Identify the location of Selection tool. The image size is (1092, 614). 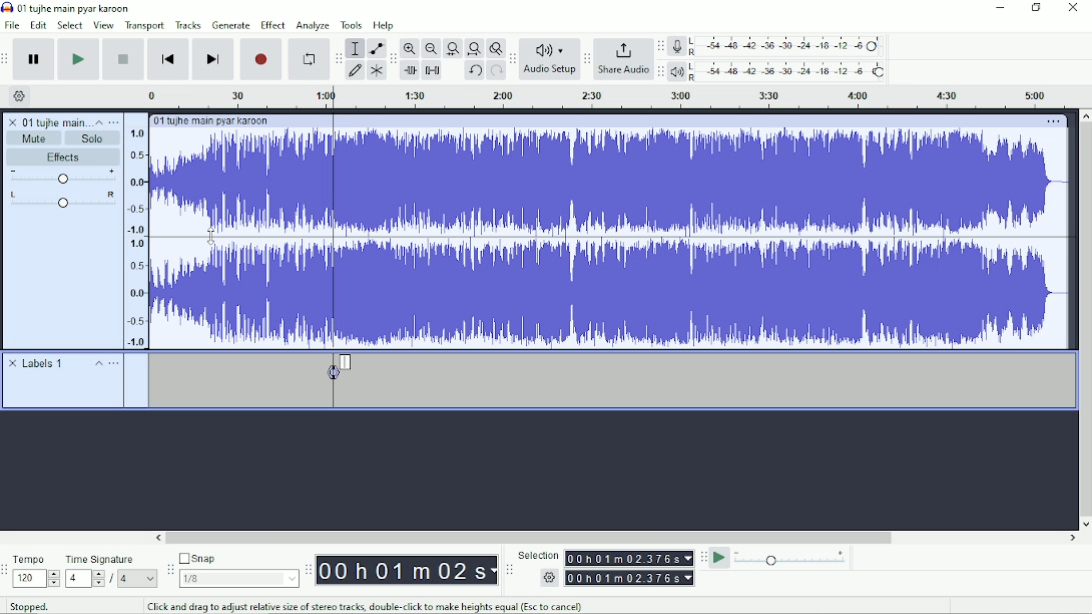
(355, 48).